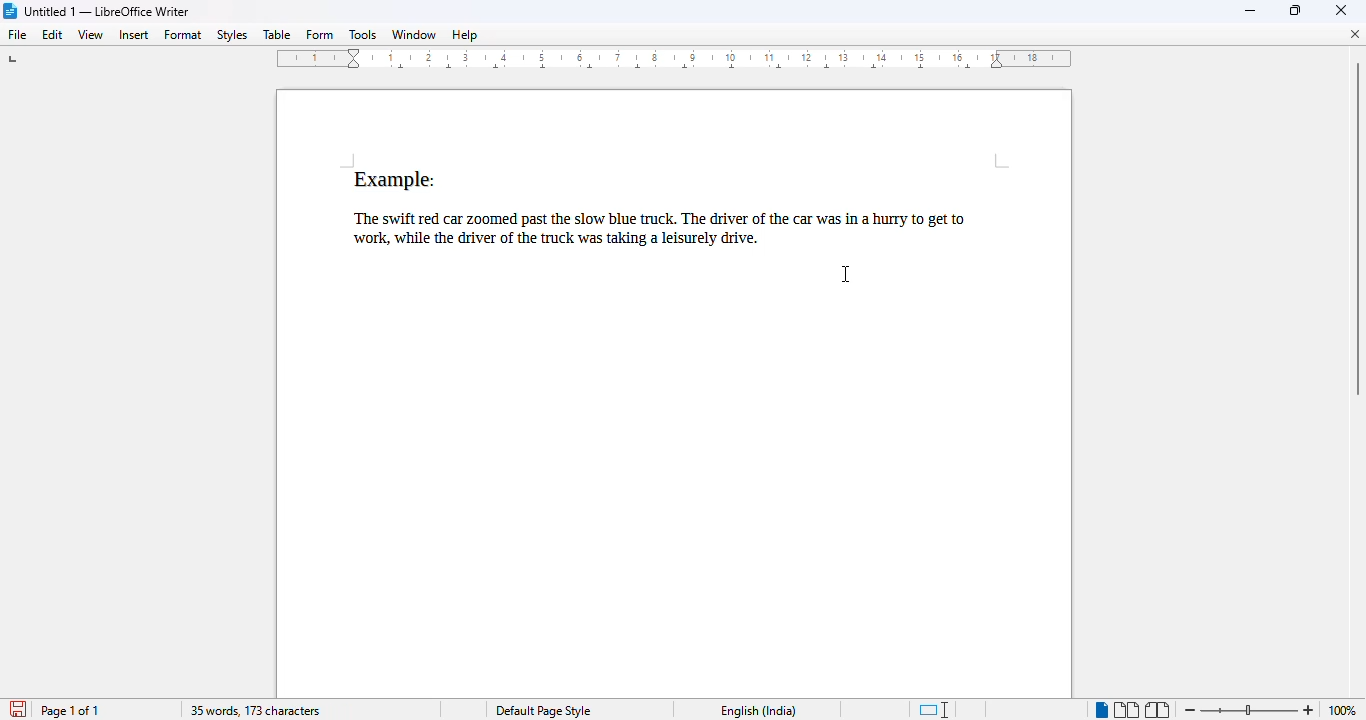 The height and width of the screenshot is (720, 1366). I want to click on help, so click(465, 35).